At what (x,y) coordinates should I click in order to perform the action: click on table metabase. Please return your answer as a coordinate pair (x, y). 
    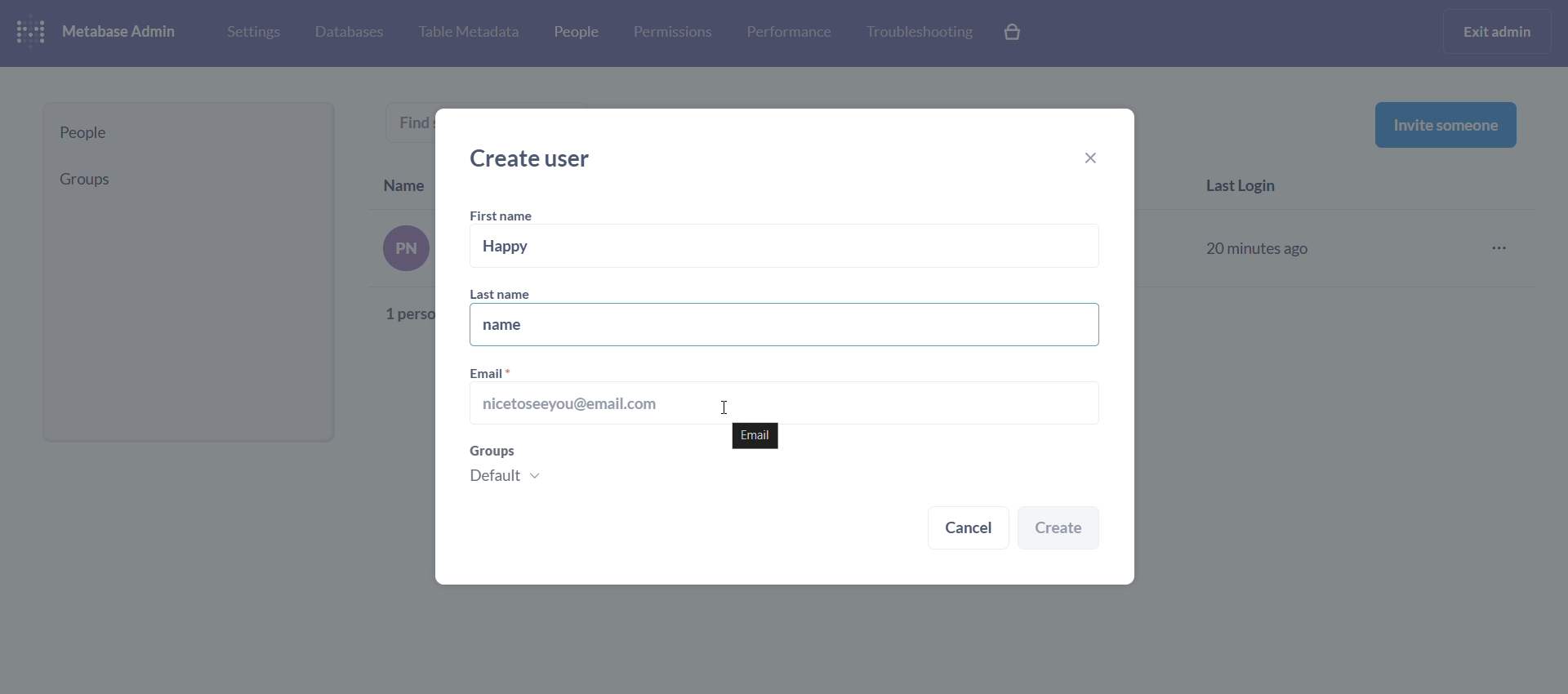
    Looking at the image, I should click on (468, 33).